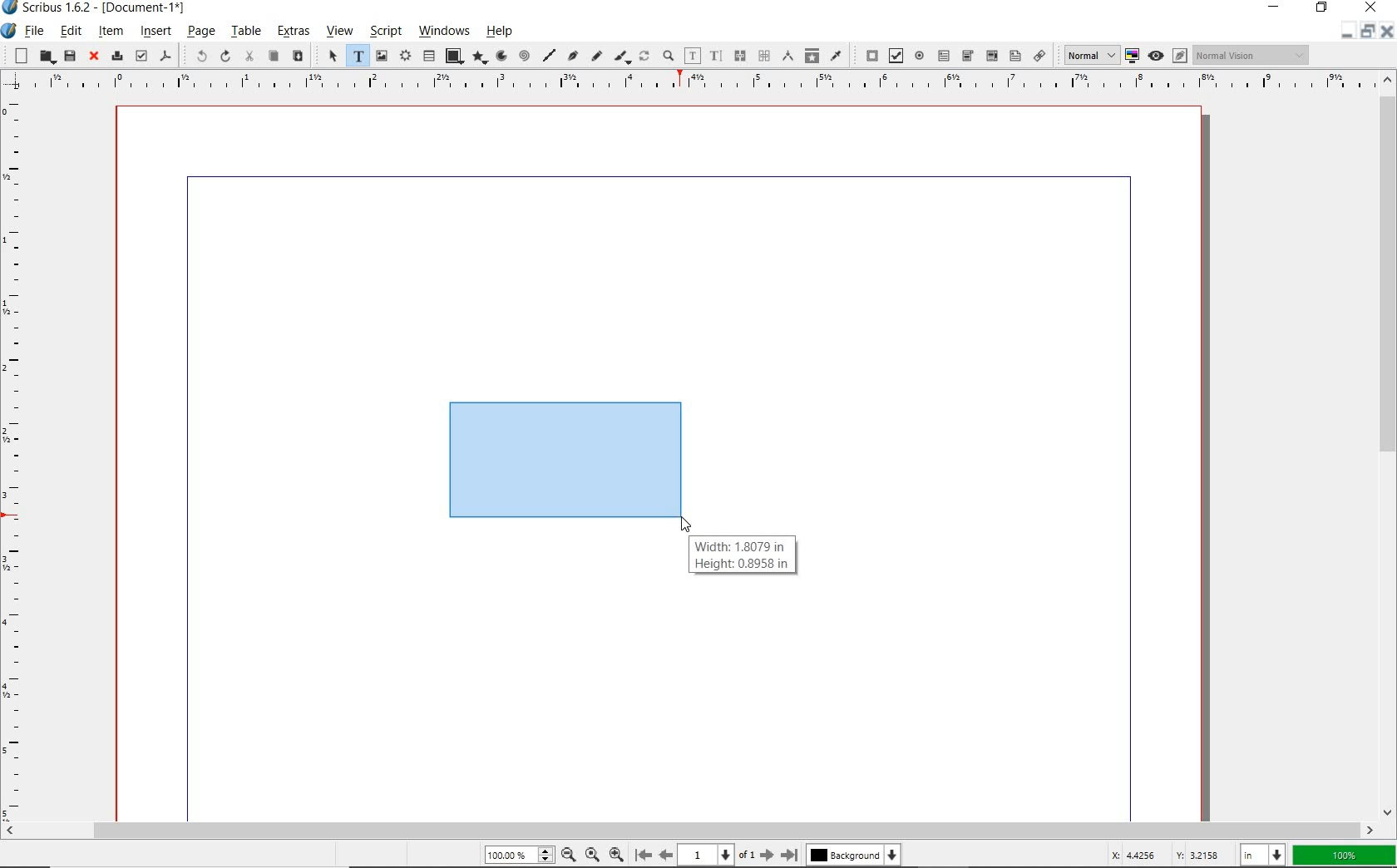 Image resolution: width=1397 pixels, height=868 pixels. Describe the element at coordinates (990, 56) in the screenshot. I see `pdf combo box` at that location.